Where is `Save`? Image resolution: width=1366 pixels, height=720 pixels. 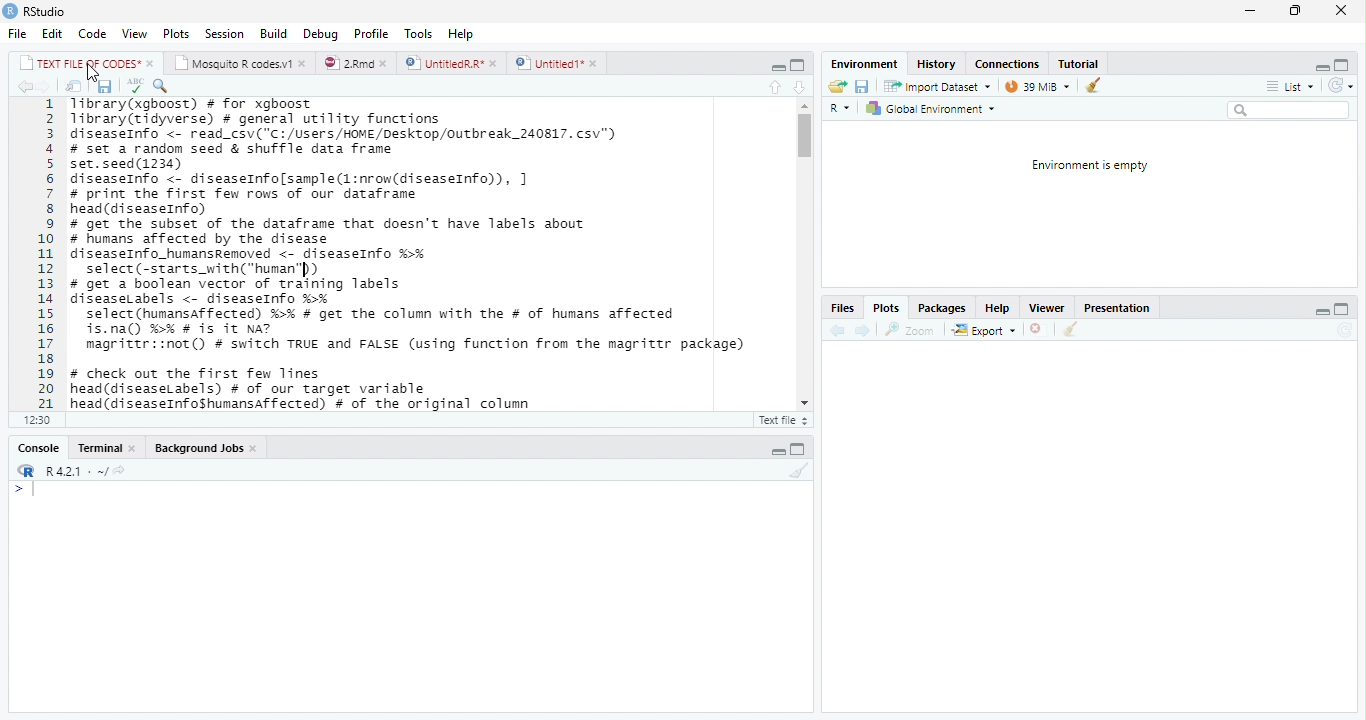
Save is located at coordinates (101, 85).